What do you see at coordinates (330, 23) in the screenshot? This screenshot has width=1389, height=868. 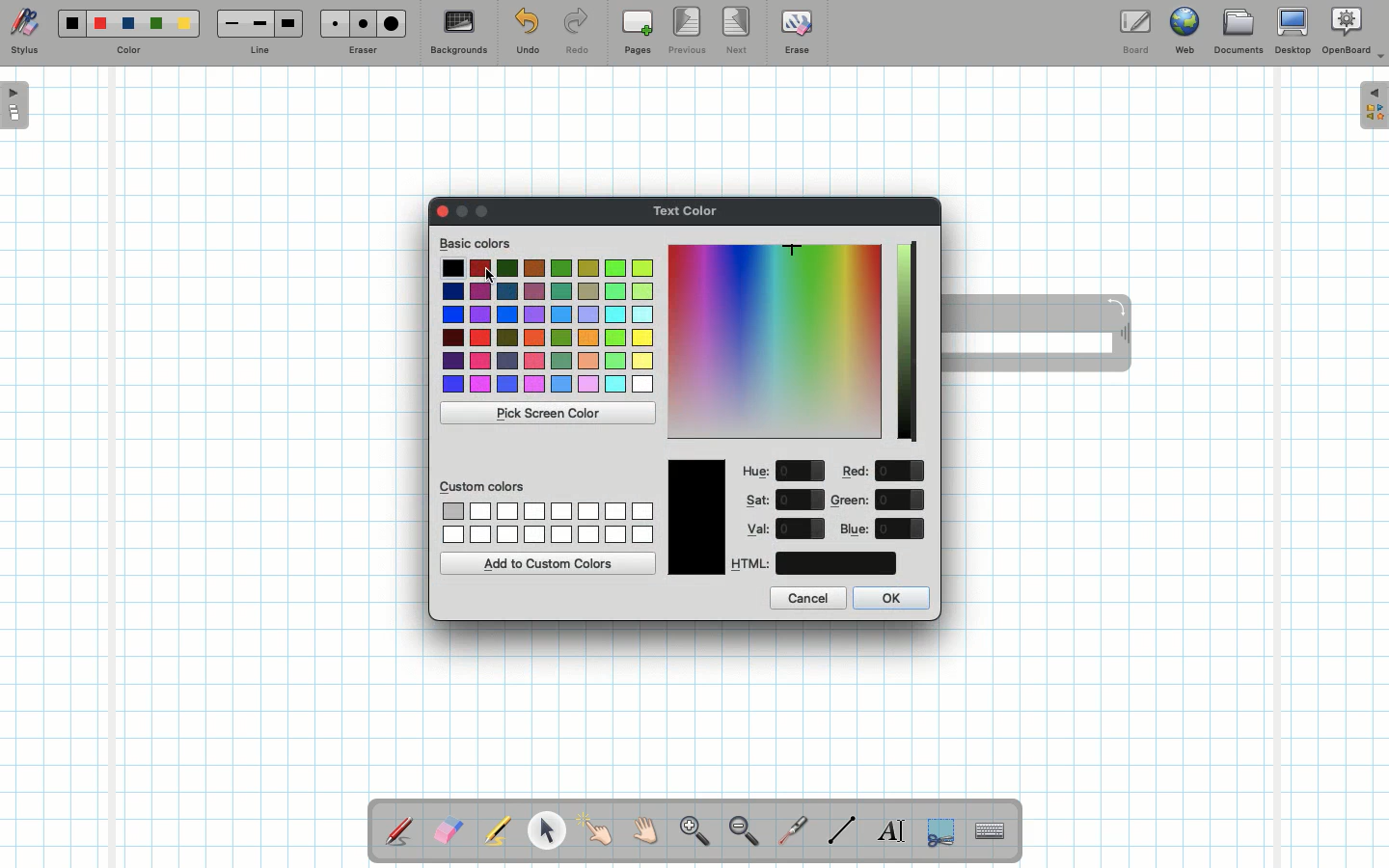 I see `Small eraser` at bounding box center [330, 23].